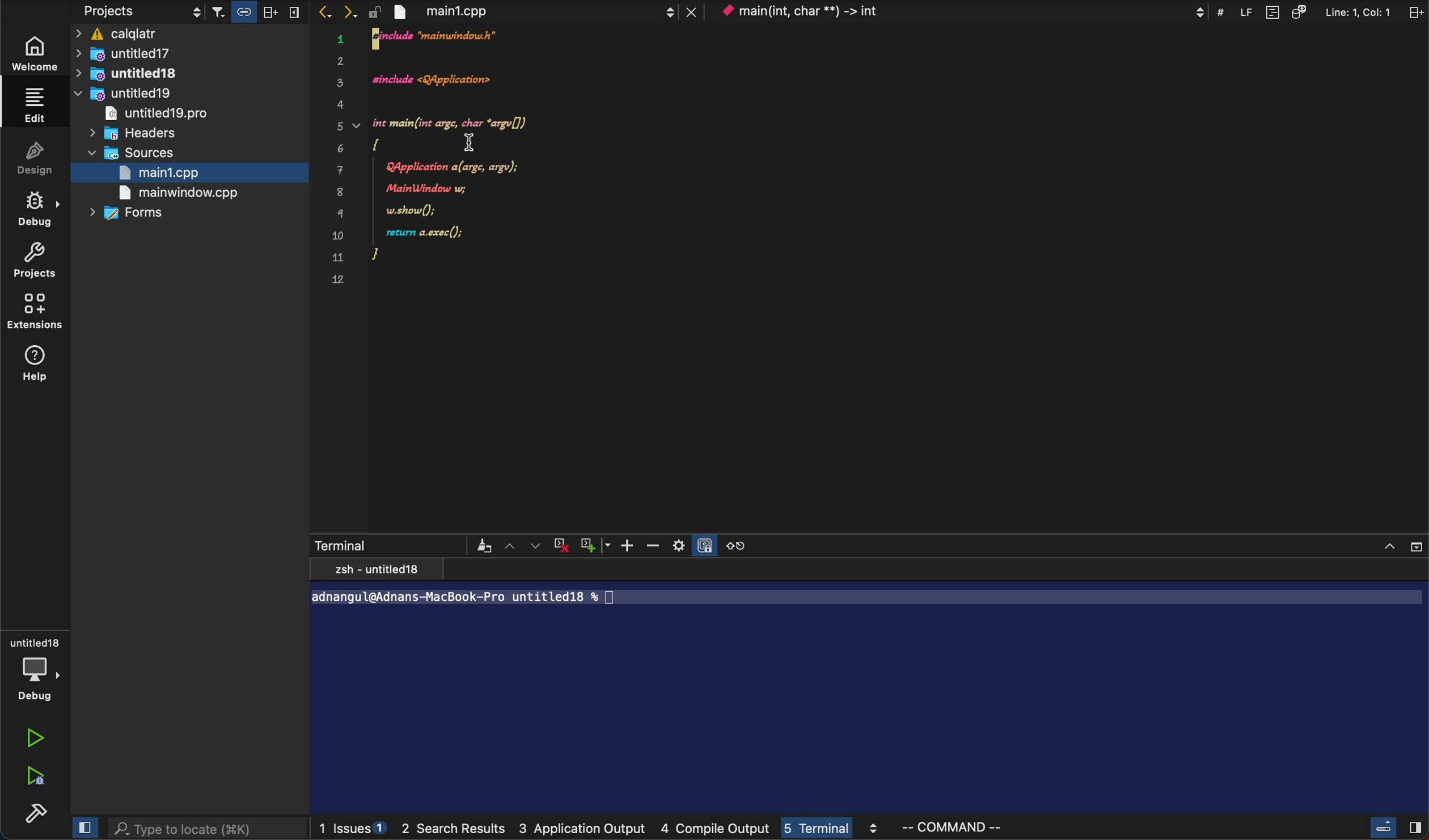 Image resolution: width=1429 pixels, height=840 pixels. What do you see at coordinates (696, 545) in the screenshot?
I see `settings` at bounding box center [696, 545].